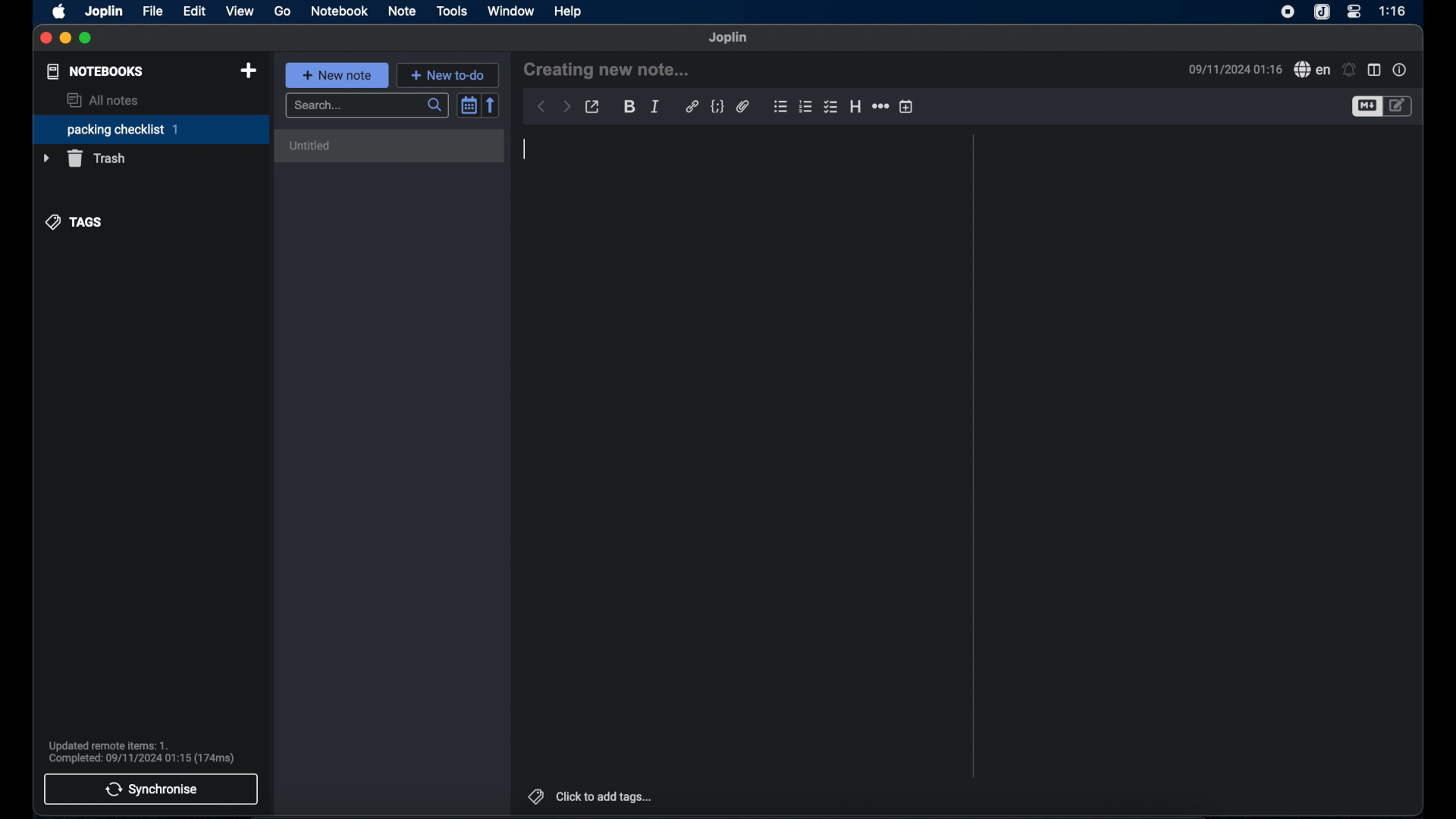 The height and width of the screenshot is (819, 1456). What do you see at coordinates (593, 107) in the screenshot?
I see `toggle external editing` at bounding box center [593, 107].